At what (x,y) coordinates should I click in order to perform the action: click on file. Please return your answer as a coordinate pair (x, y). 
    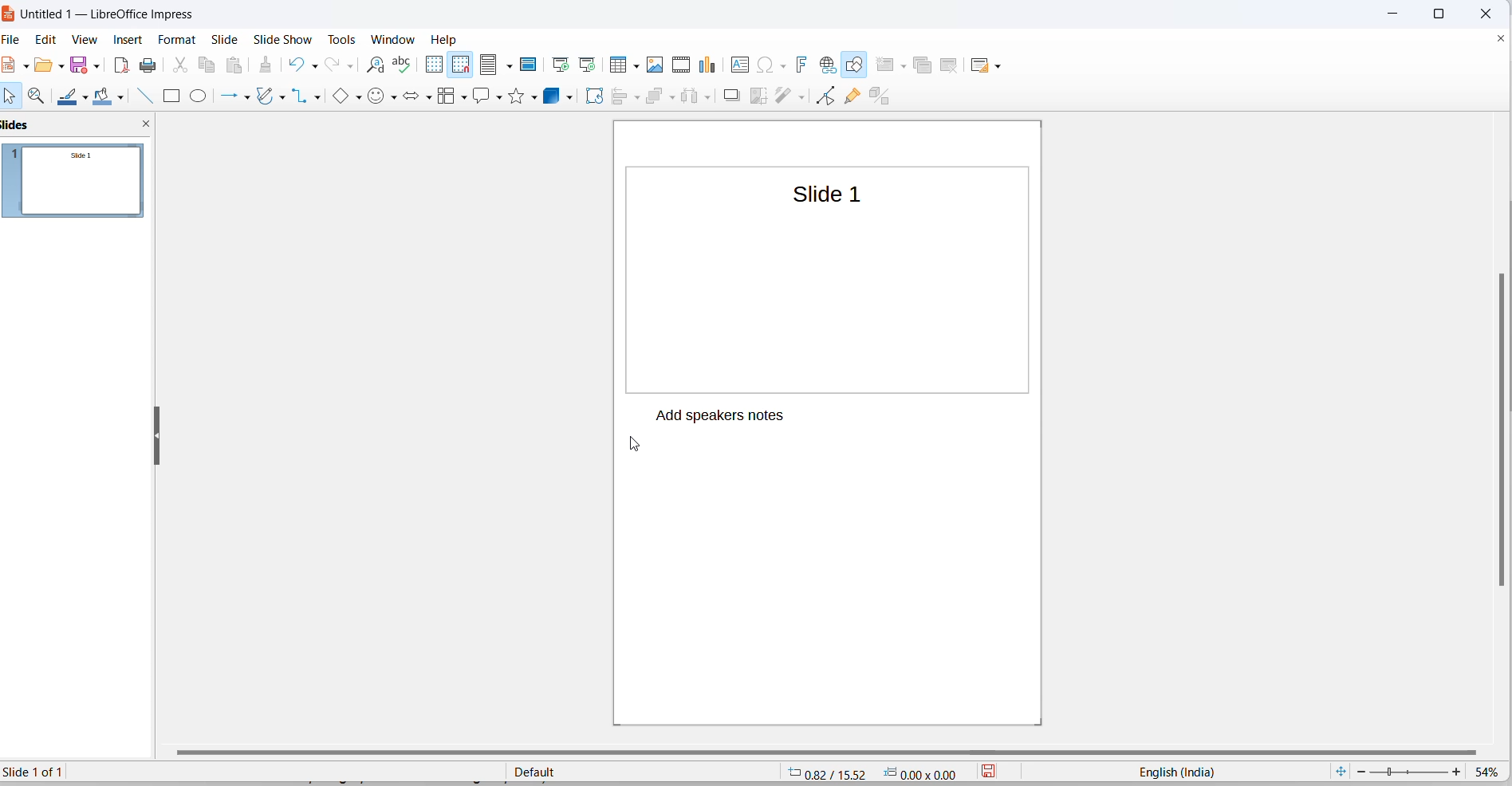
    Looking at the image, I should click on (12, 65).